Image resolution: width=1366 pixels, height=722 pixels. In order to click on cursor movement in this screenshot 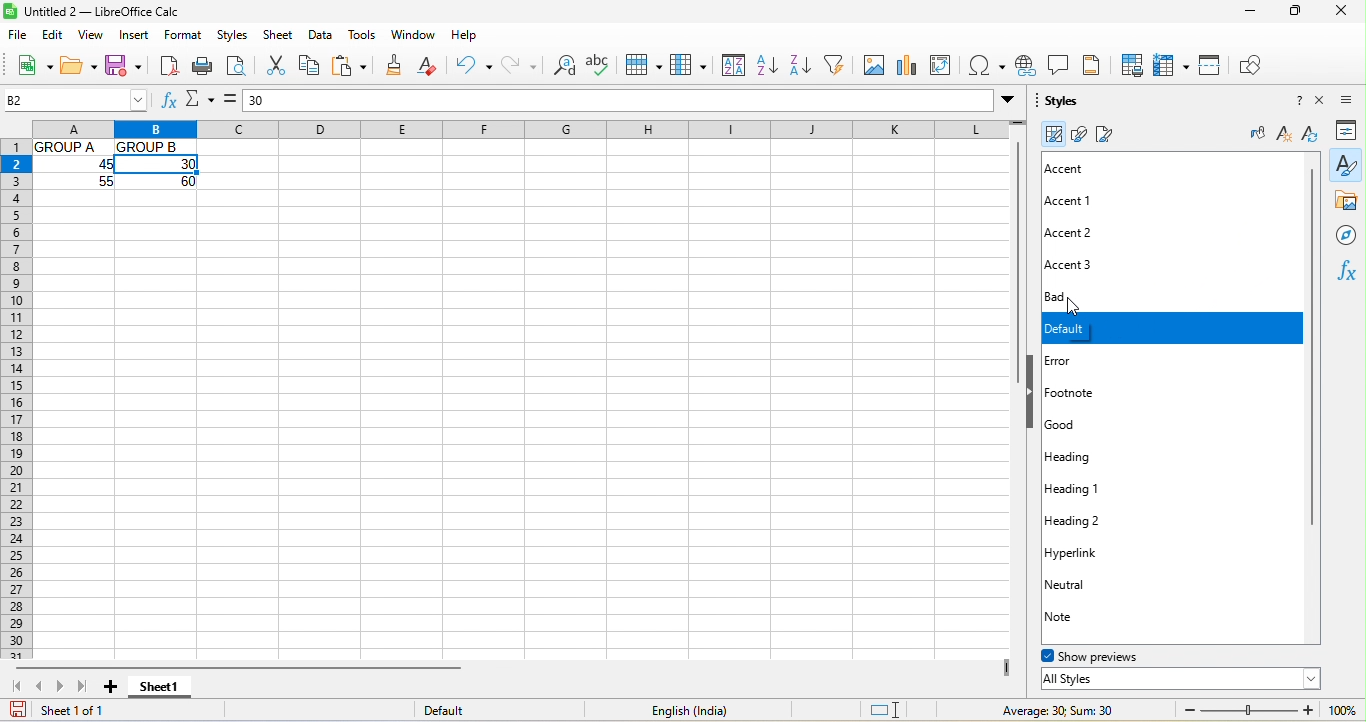, I will do `click(1072, 308)`.